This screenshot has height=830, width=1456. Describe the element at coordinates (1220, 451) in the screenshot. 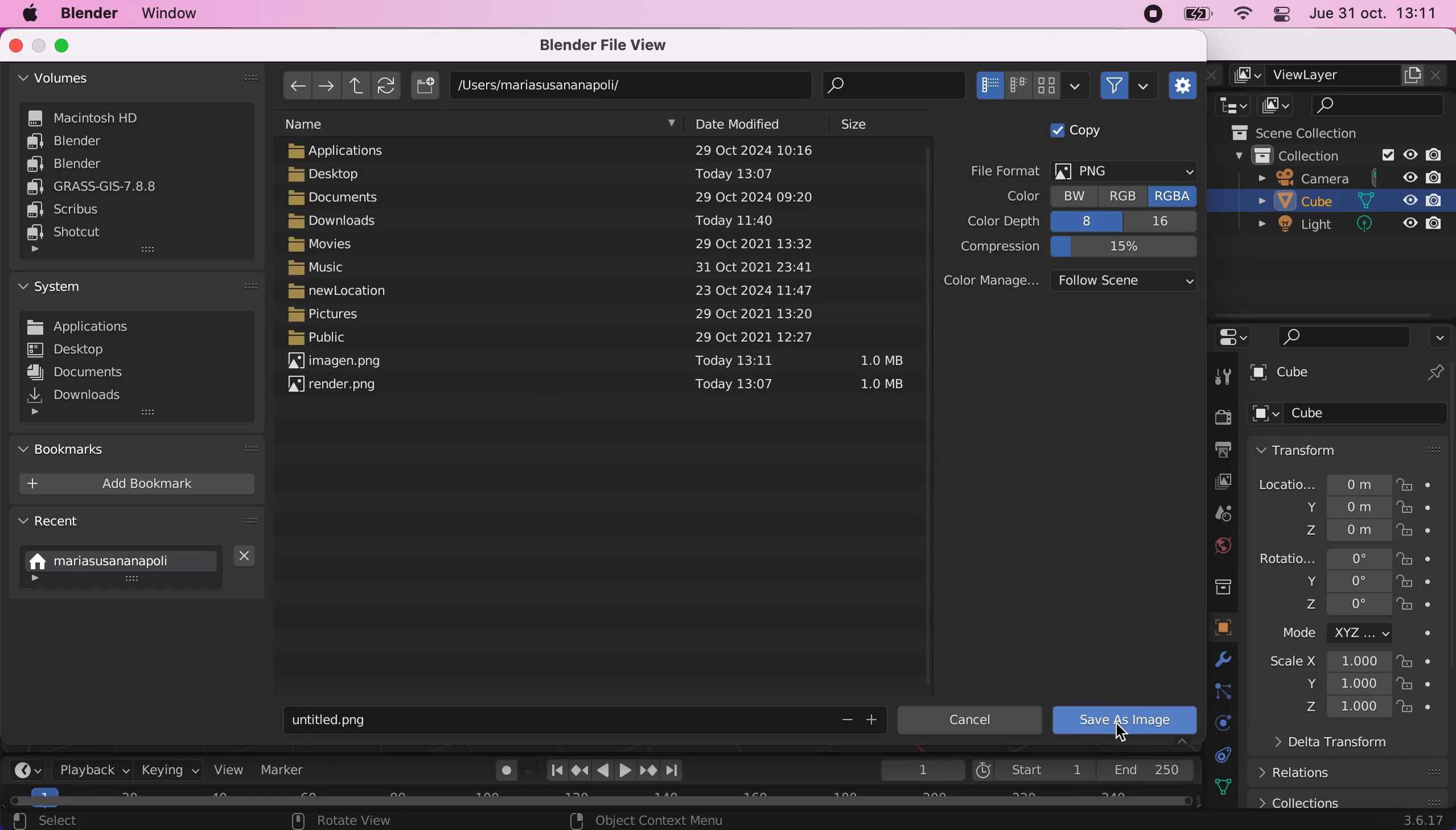

I see `output` at that location.